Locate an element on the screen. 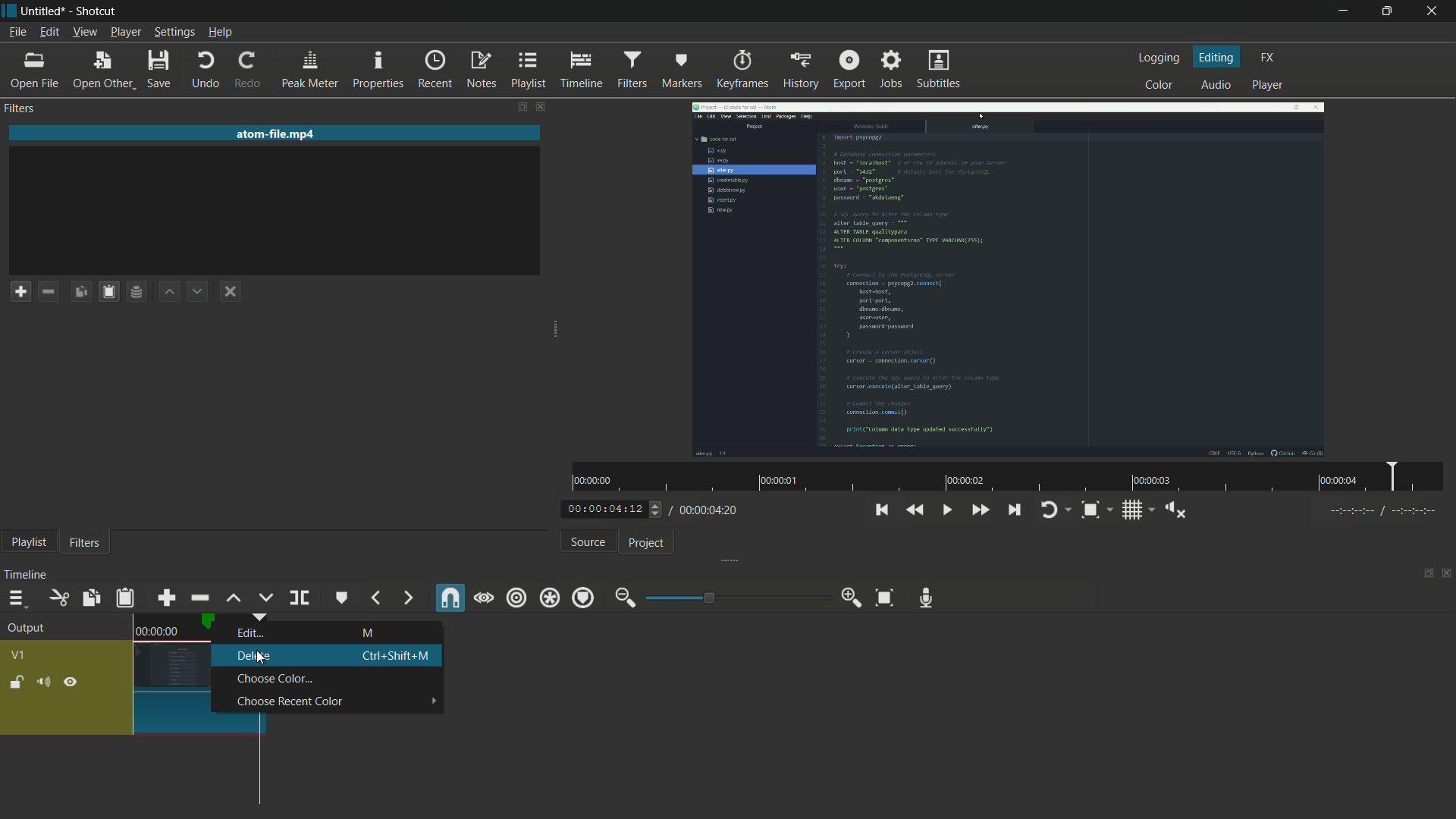 This screenshot has height=819, width=1456. paste is located at coordinates (124, 598).